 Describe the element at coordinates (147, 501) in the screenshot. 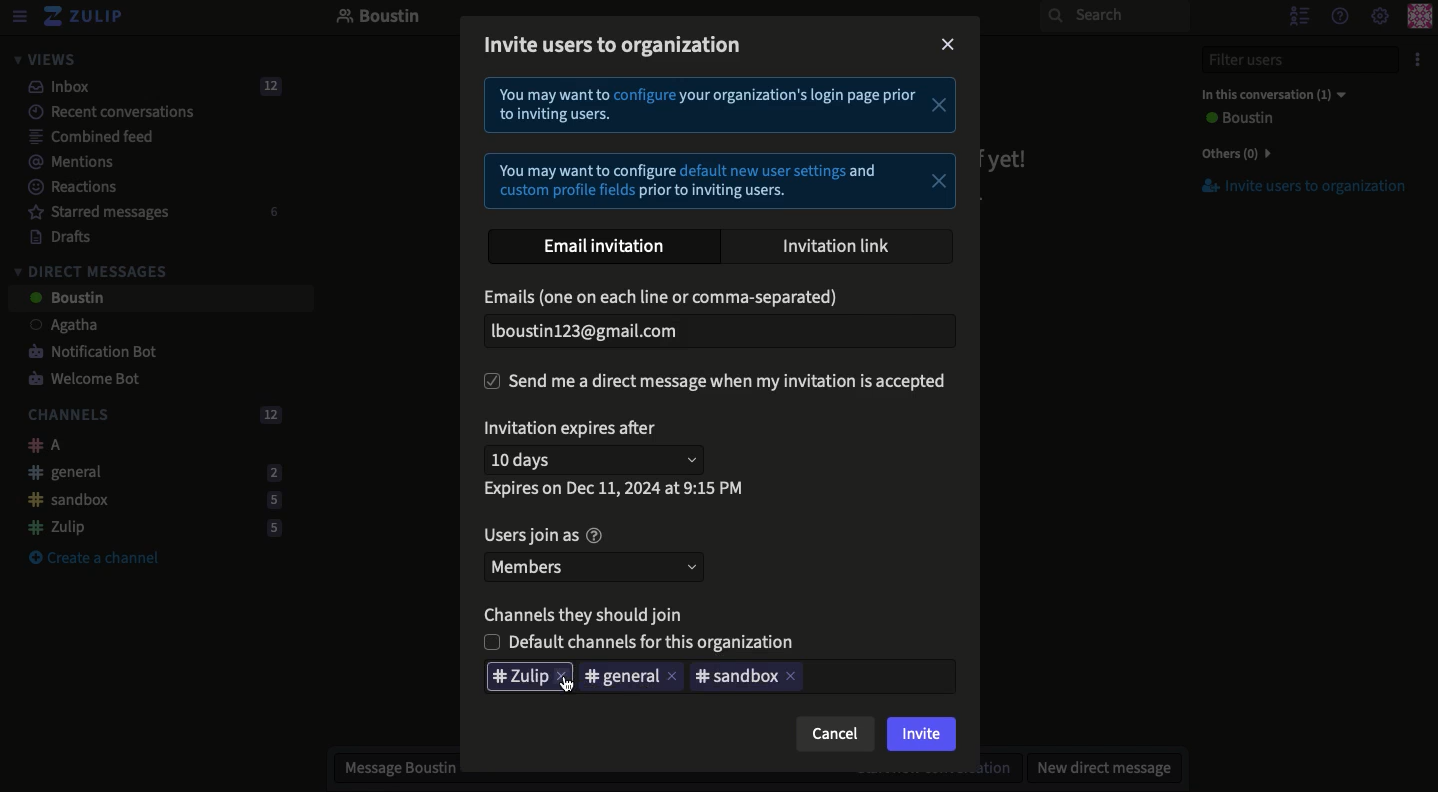

I see `Sandbox` at that location.